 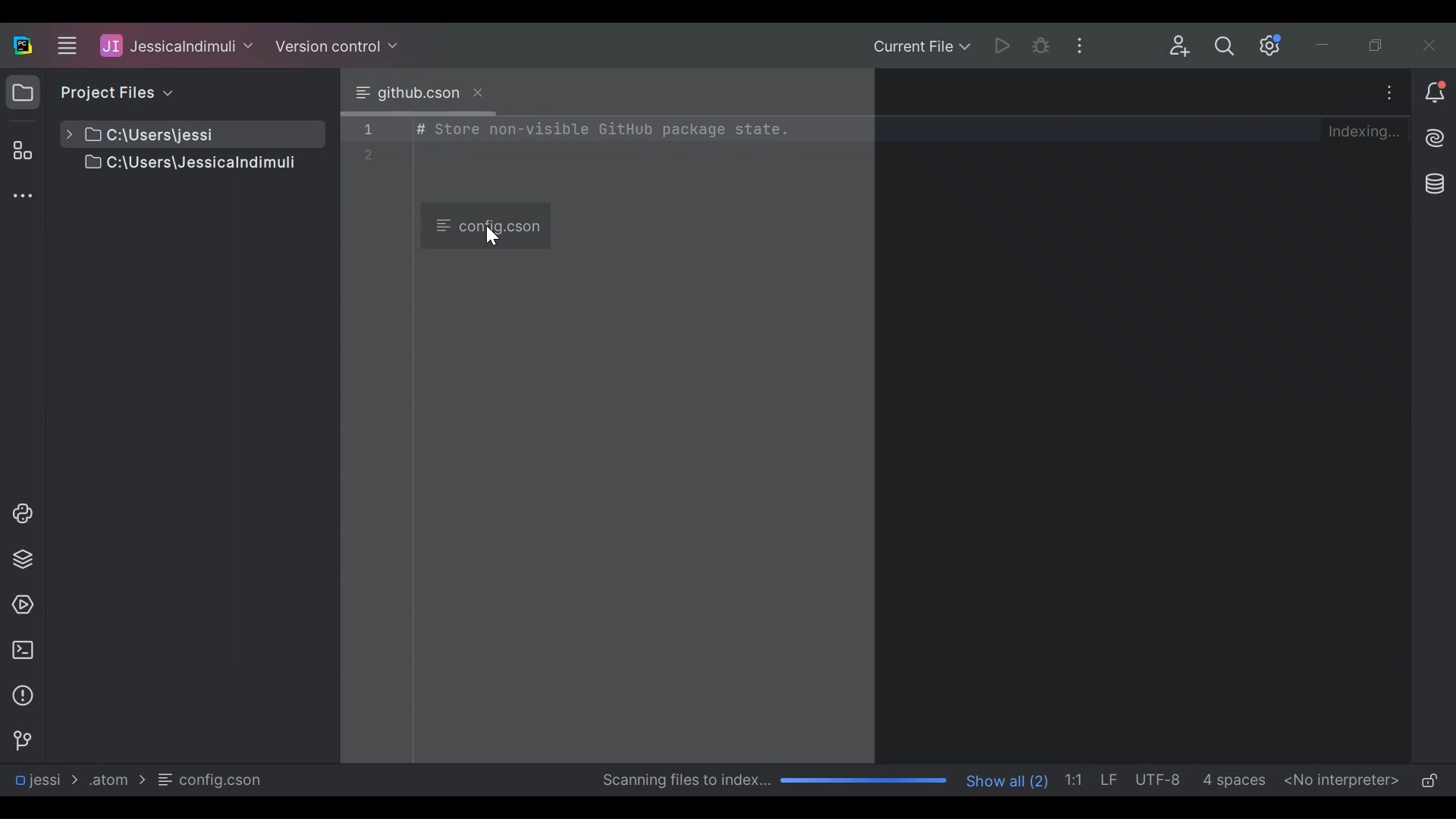 What do you see at coordinates (23, 650) in the screenshot?
I see `Terminal` at bounding box center [23, 650].